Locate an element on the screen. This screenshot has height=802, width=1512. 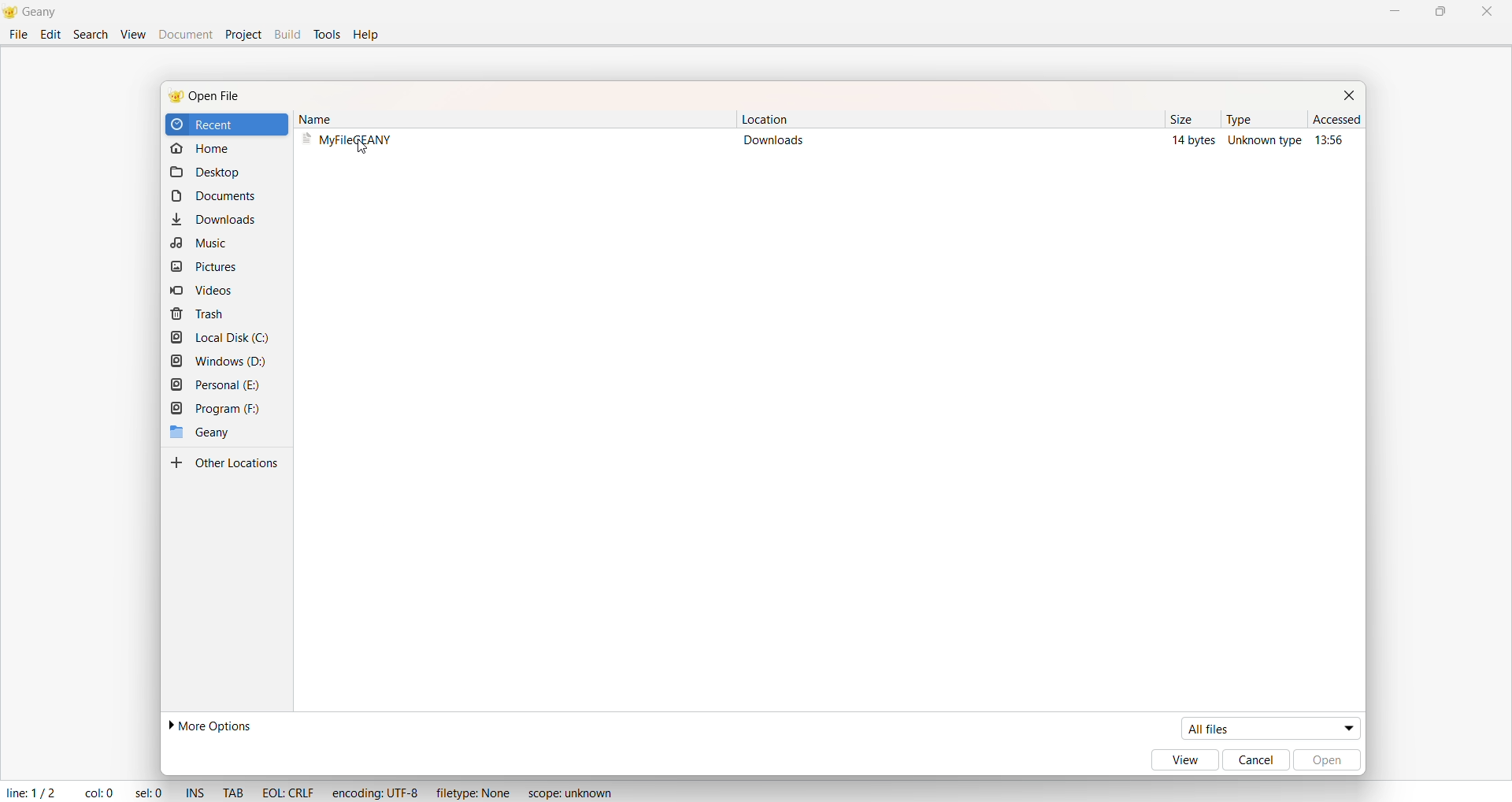
file name is located at coordinates (353, 142).